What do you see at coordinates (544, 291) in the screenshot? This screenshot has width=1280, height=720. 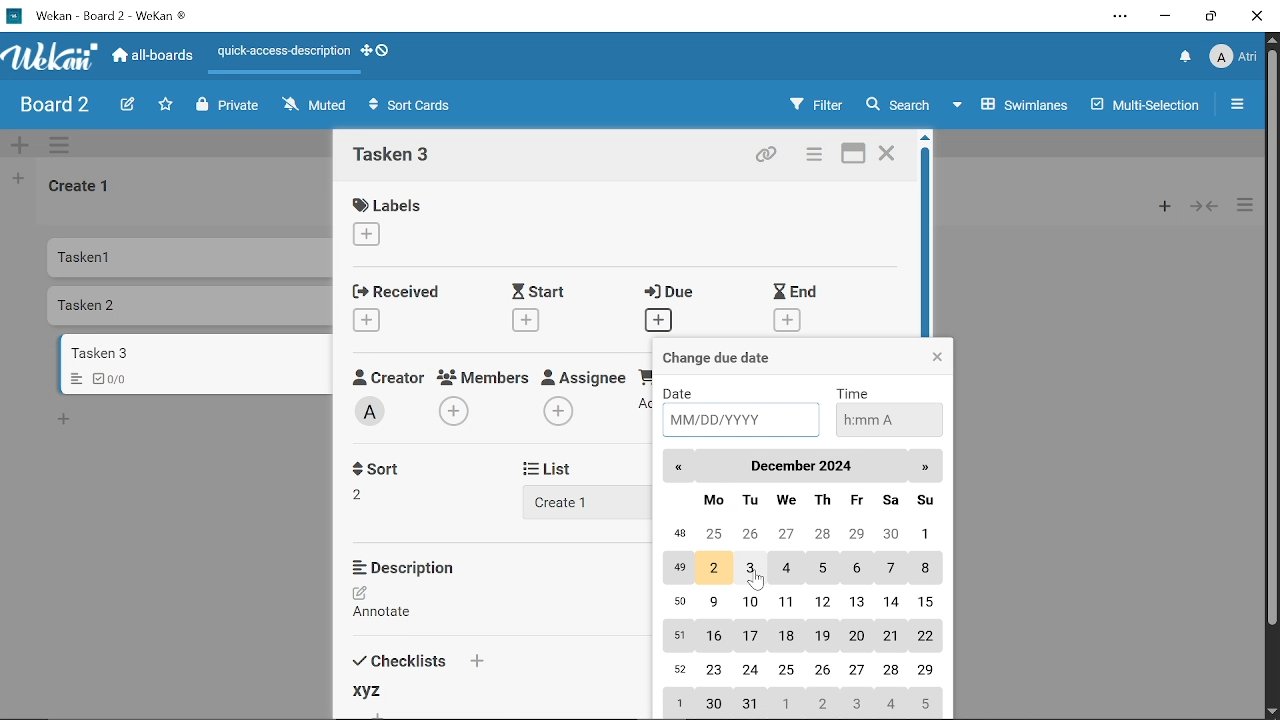 I see `Start` at bounding box center [544, 291].